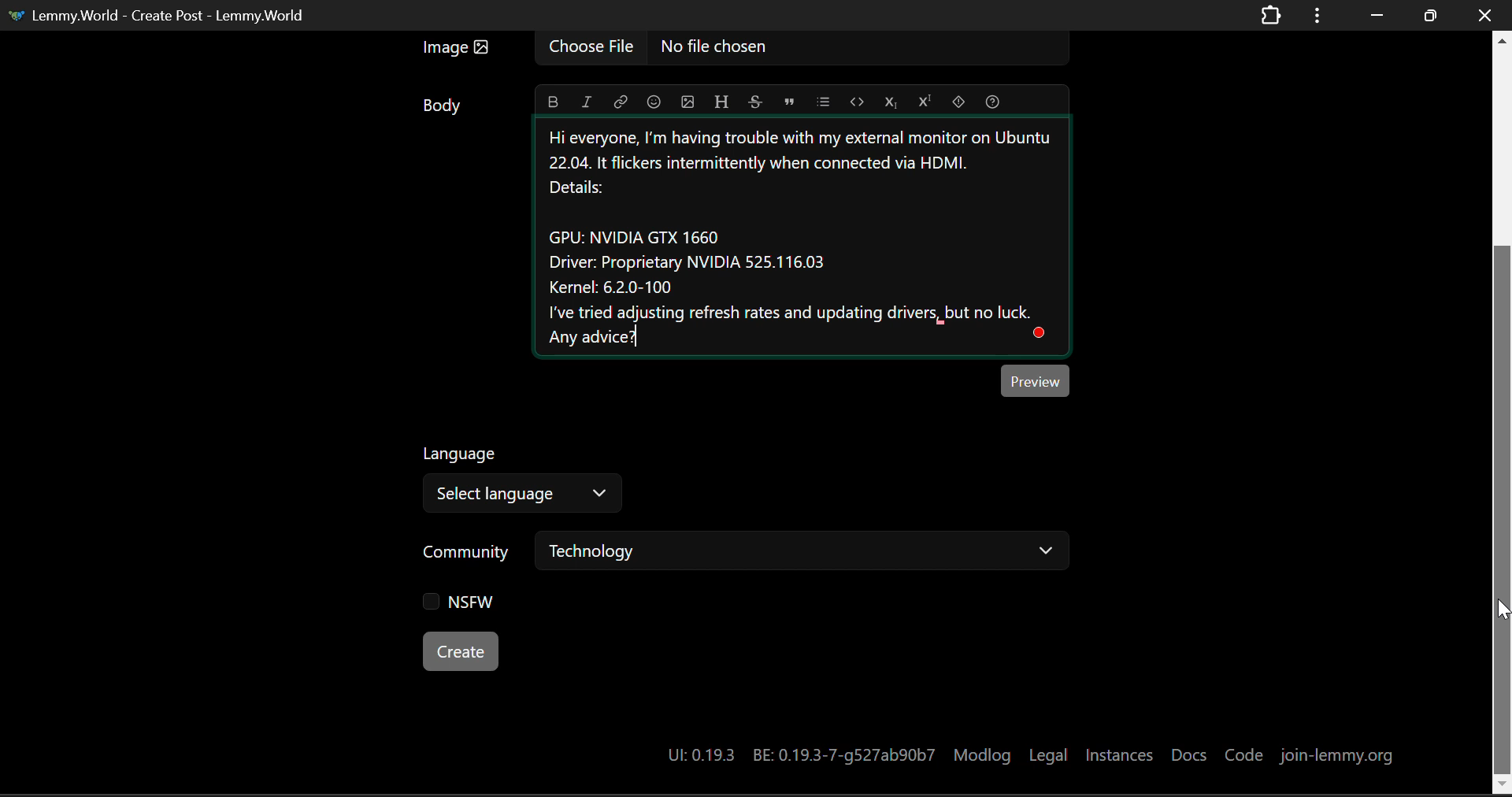 This screenshot has height=797, width=1512. I want to click on Link, so click(620, 101).